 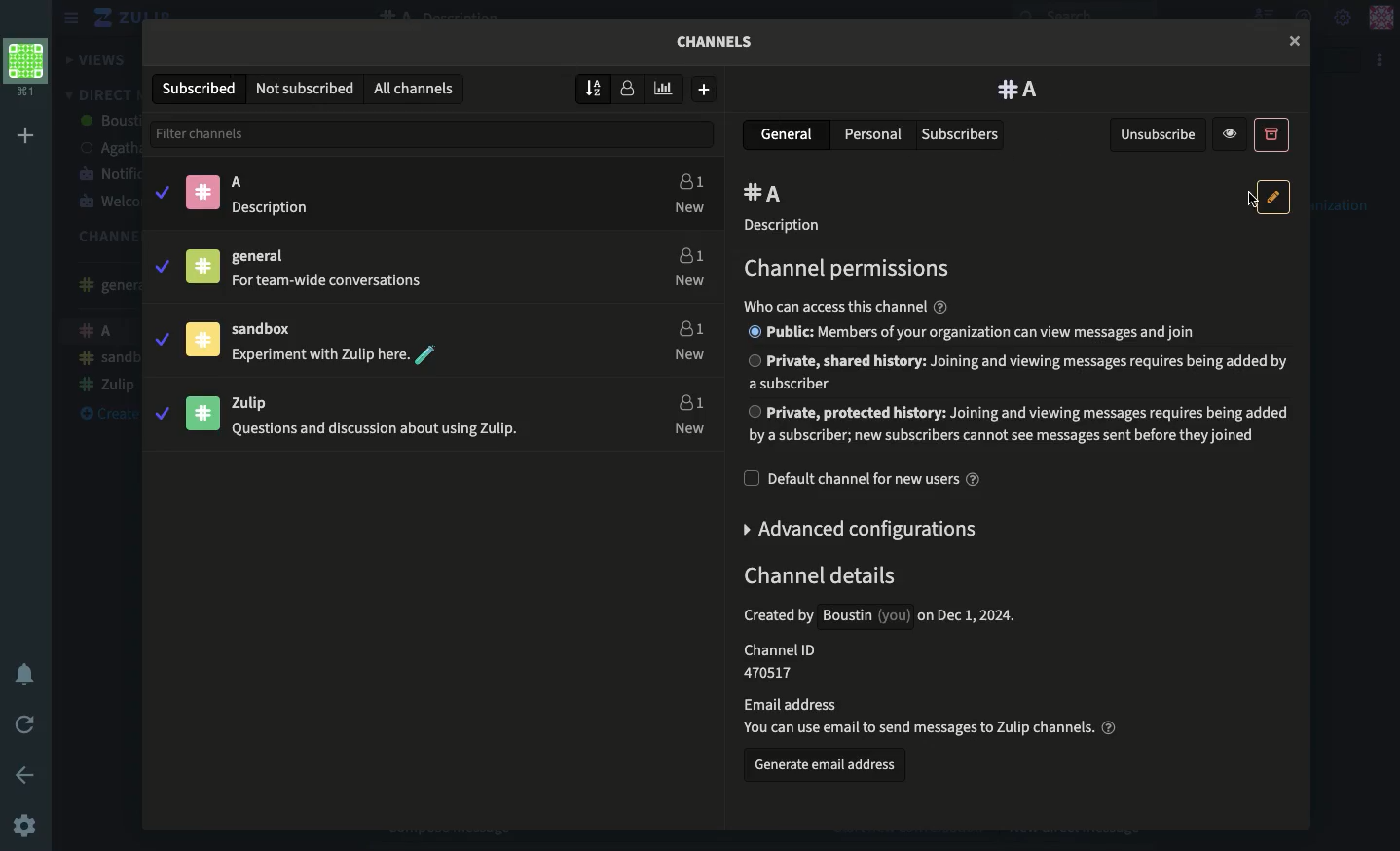 I want to click on Settings, so click(x=25, y=828).